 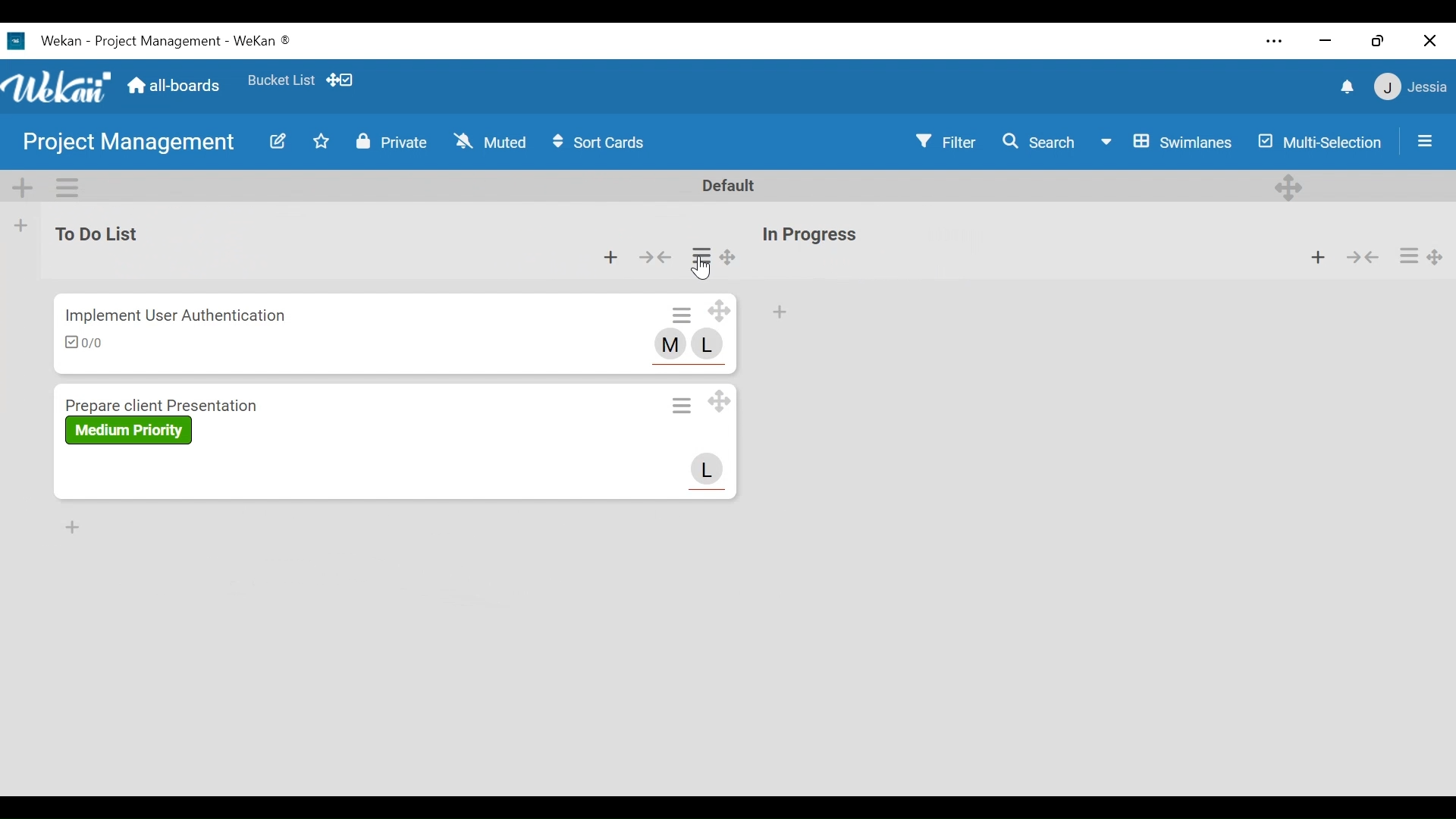 I want to click on Filter, so click(x=945, y=141).